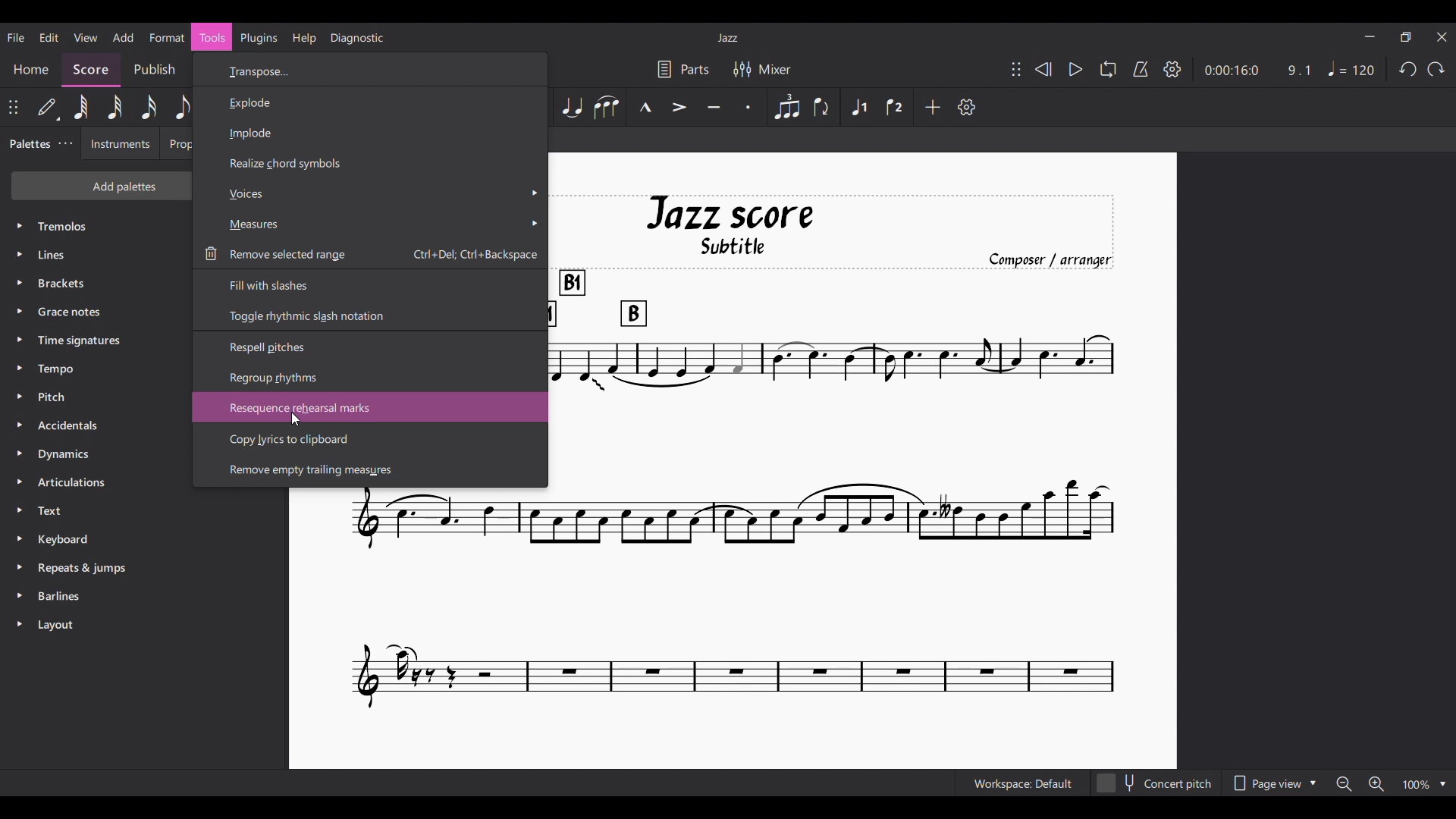  What do you see at coordinates (1370, 36) in the screenshot?
I see `Minimize` at bounding box center [1370, 36].